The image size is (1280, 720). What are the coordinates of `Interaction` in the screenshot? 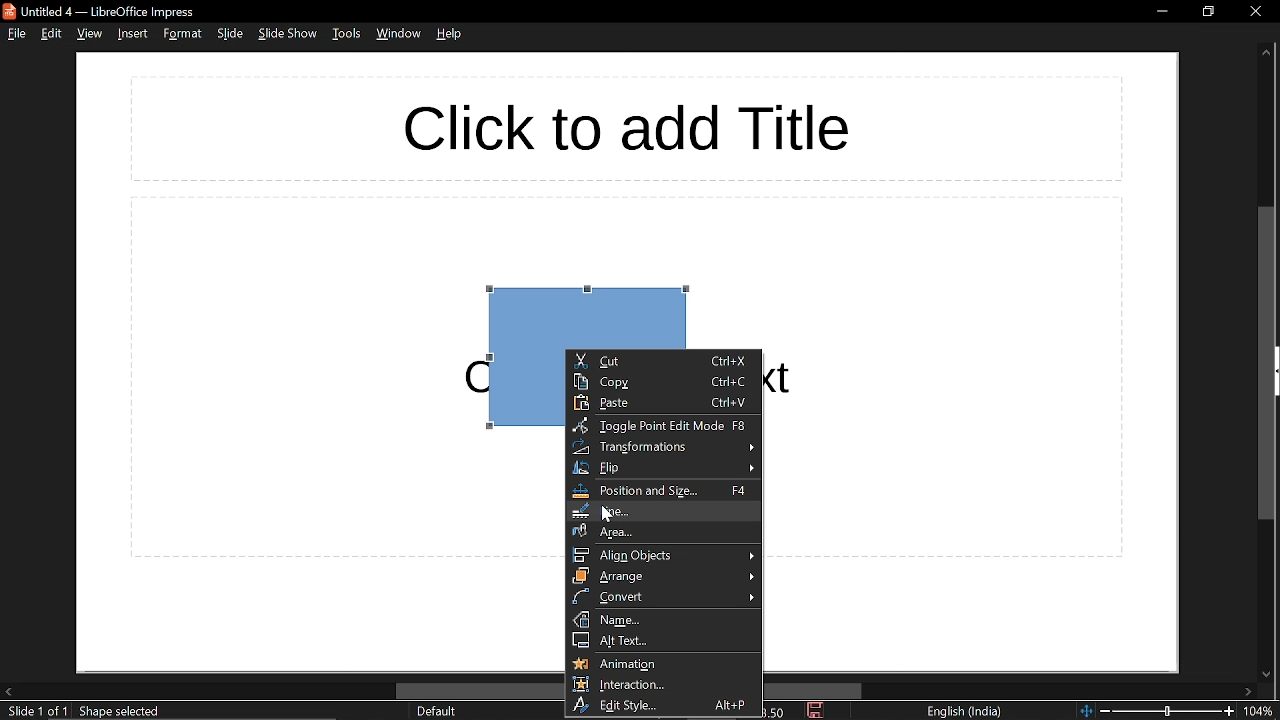 It's located at (662, 685).